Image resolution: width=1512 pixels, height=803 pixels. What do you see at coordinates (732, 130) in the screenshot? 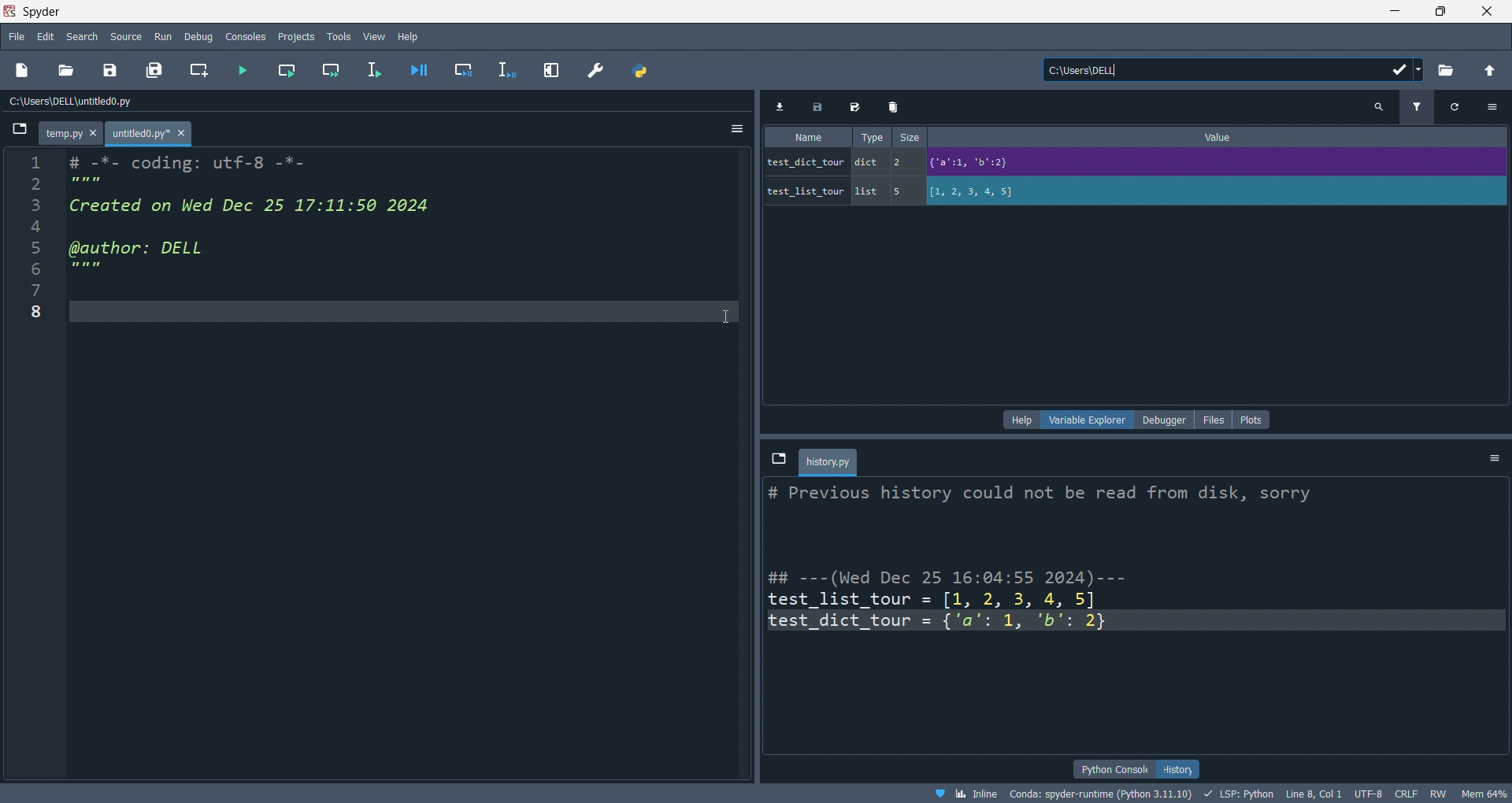
I see `options` at bounding box center [732, 130].